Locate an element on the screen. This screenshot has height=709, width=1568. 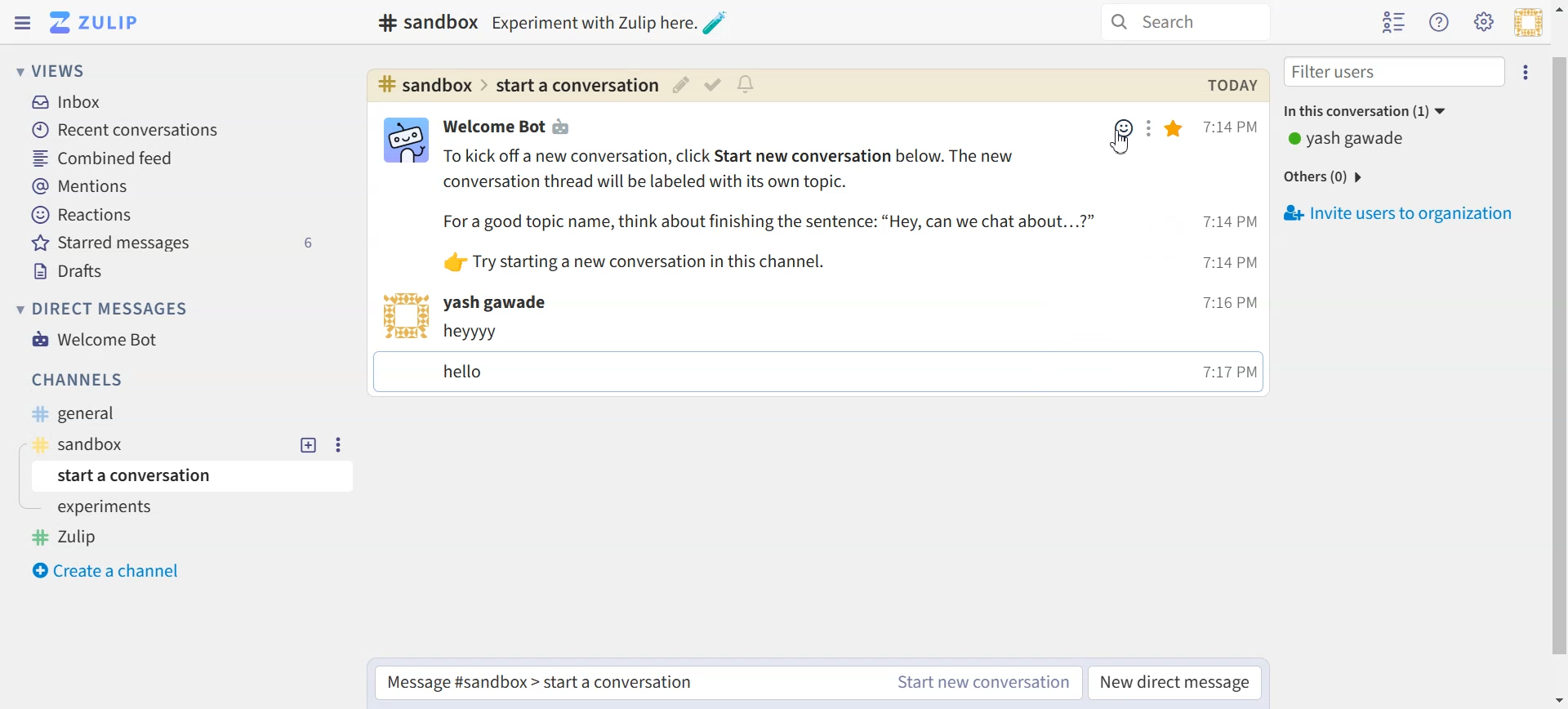
Zulip Tag is located at coordinates (73, 537).